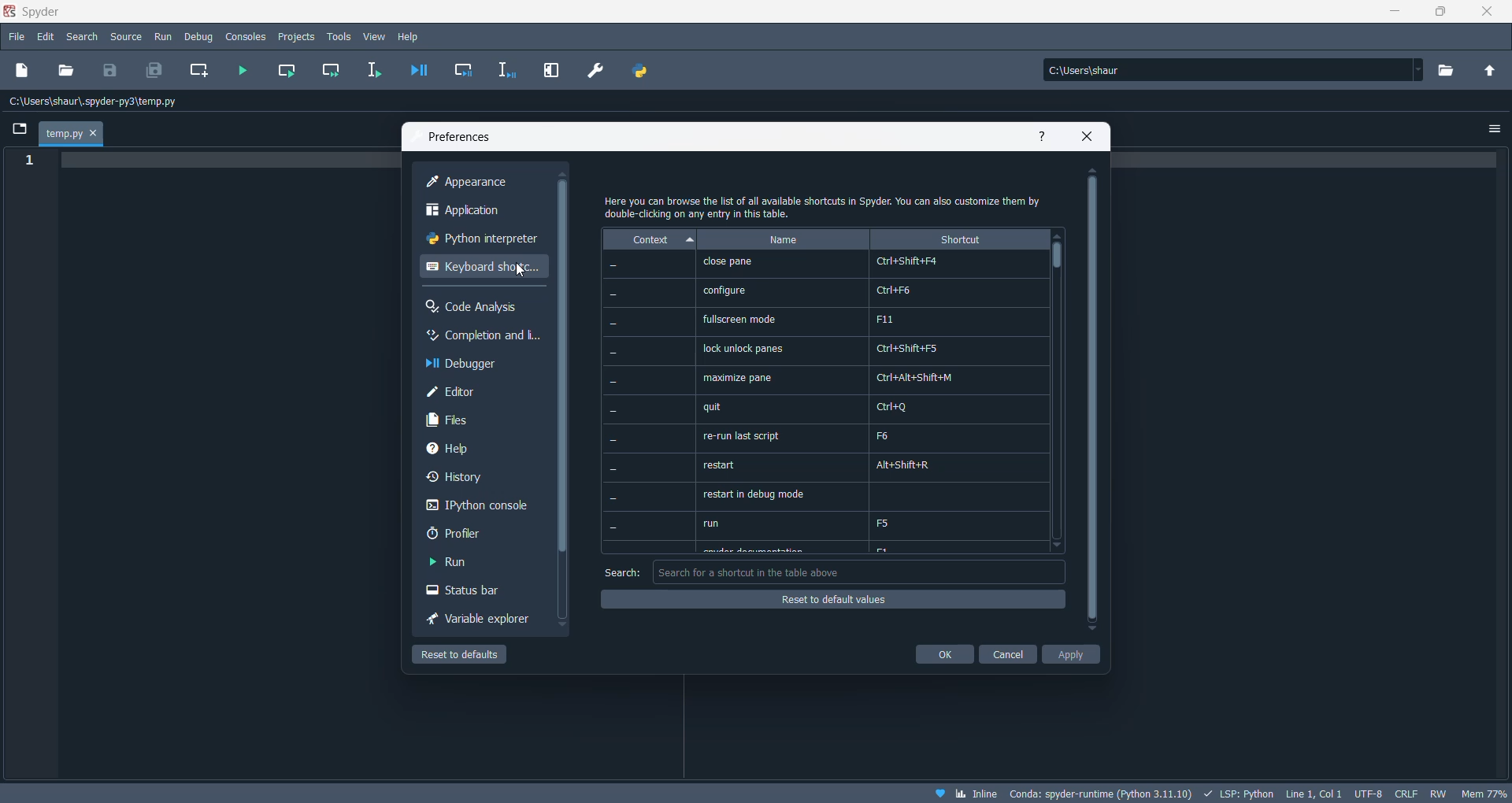  I want to click on save all files, so click(152, 70).